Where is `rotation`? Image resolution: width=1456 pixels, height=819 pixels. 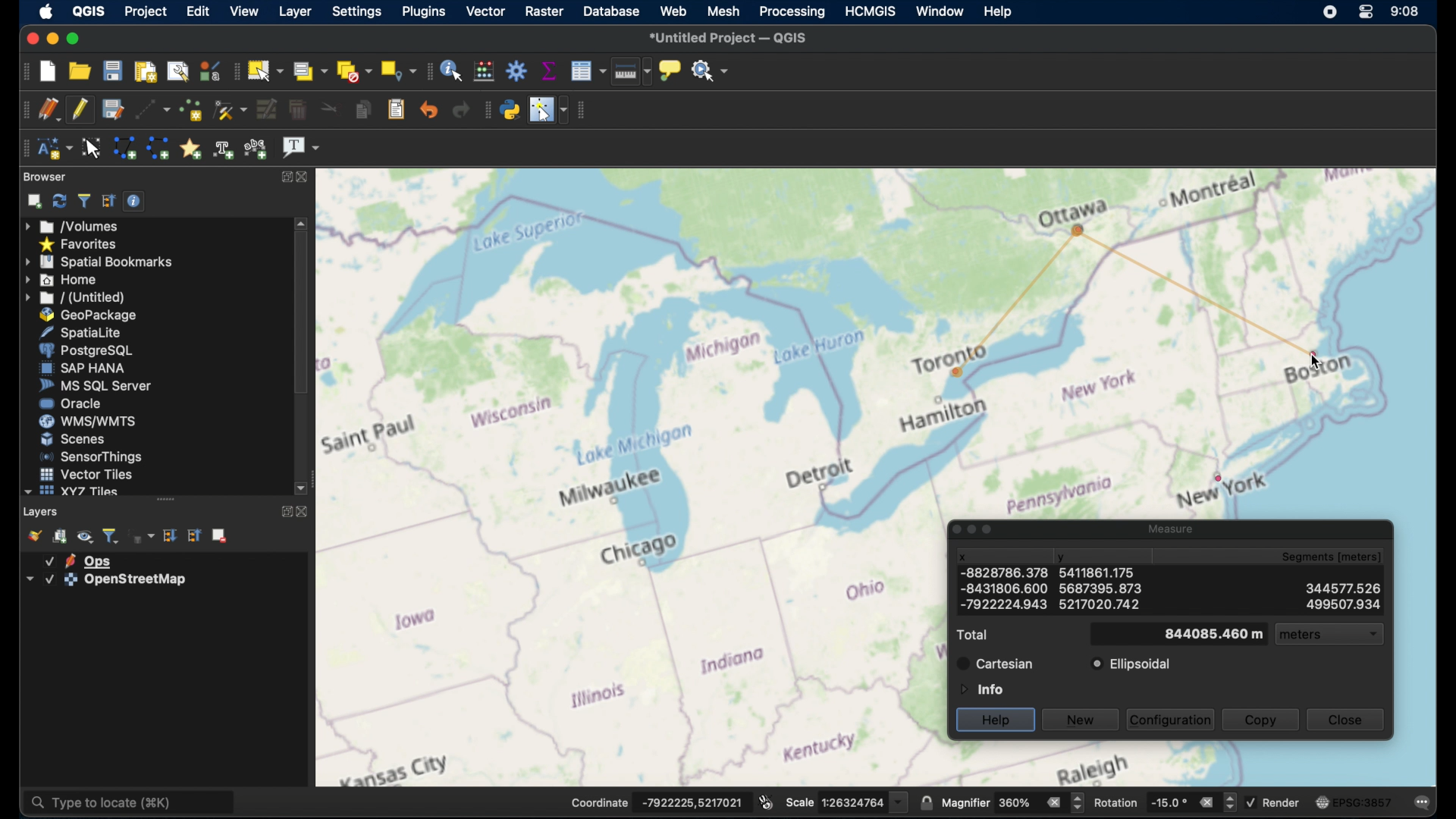 rotation is located at coordinates (1164, 801).